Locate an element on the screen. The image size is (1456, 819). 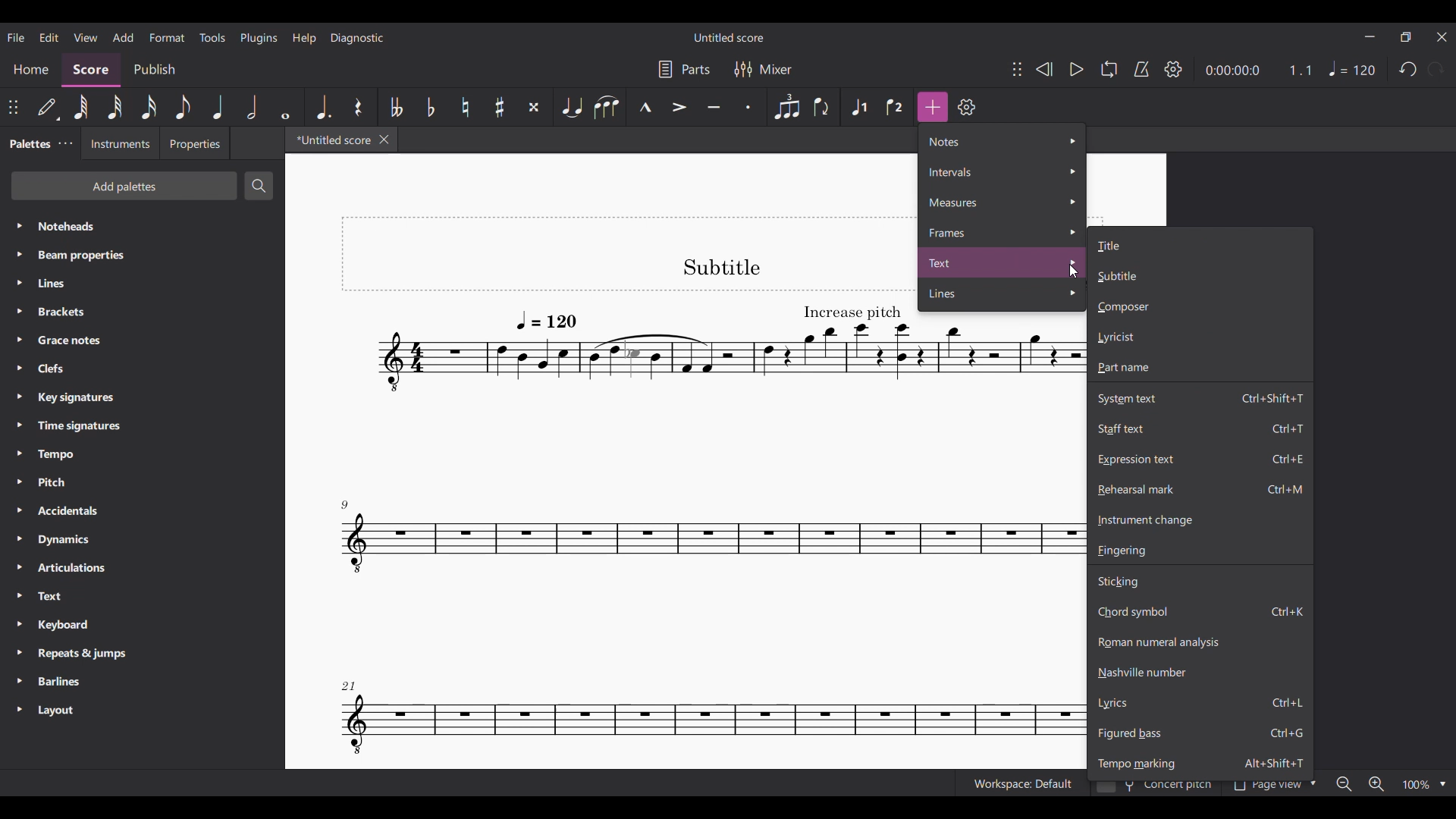
Measure options is located at coordinates (1002, 202).